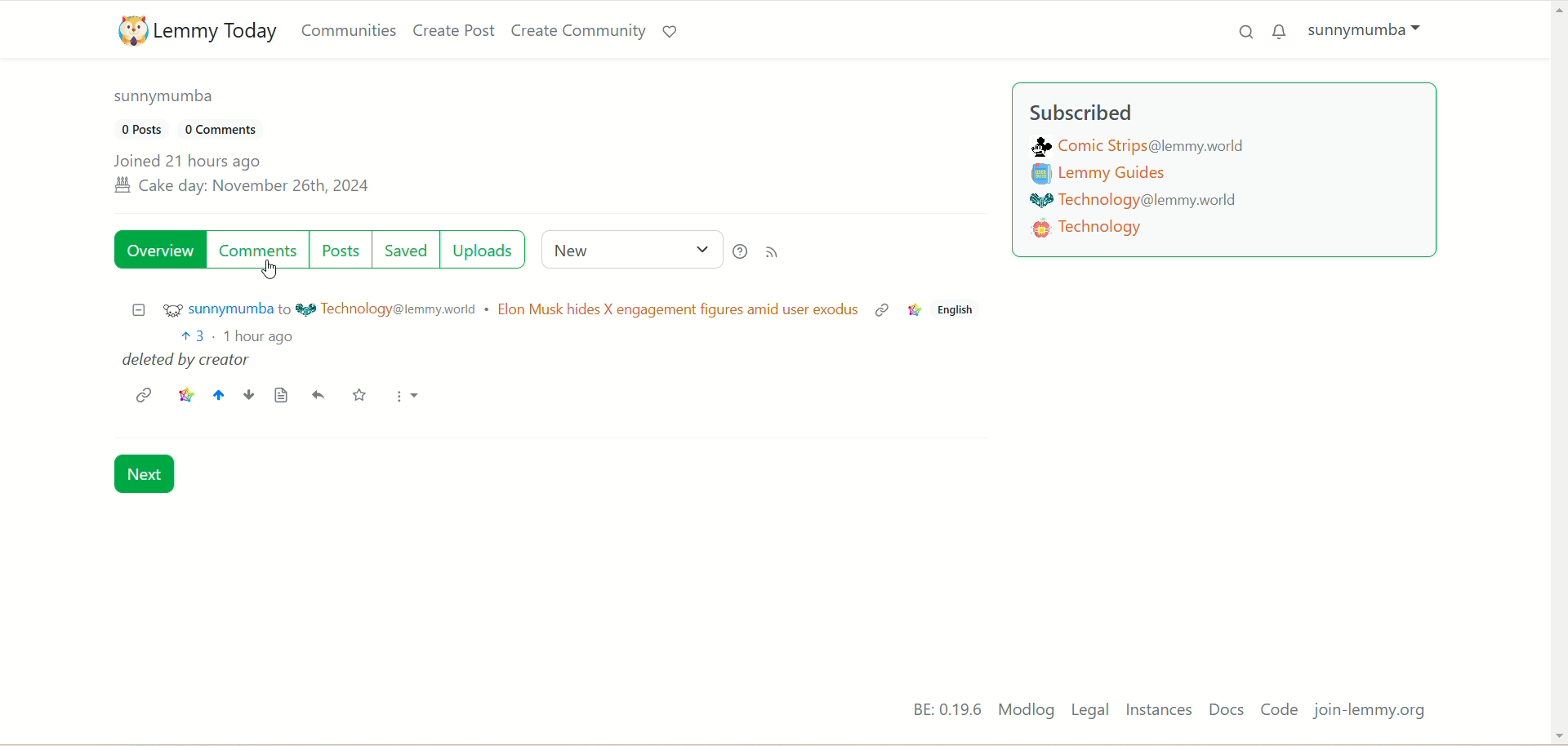 The width and height of the screenshot is (1568, 746). I want to click on BE: 0.19.6, so click(936, 710).